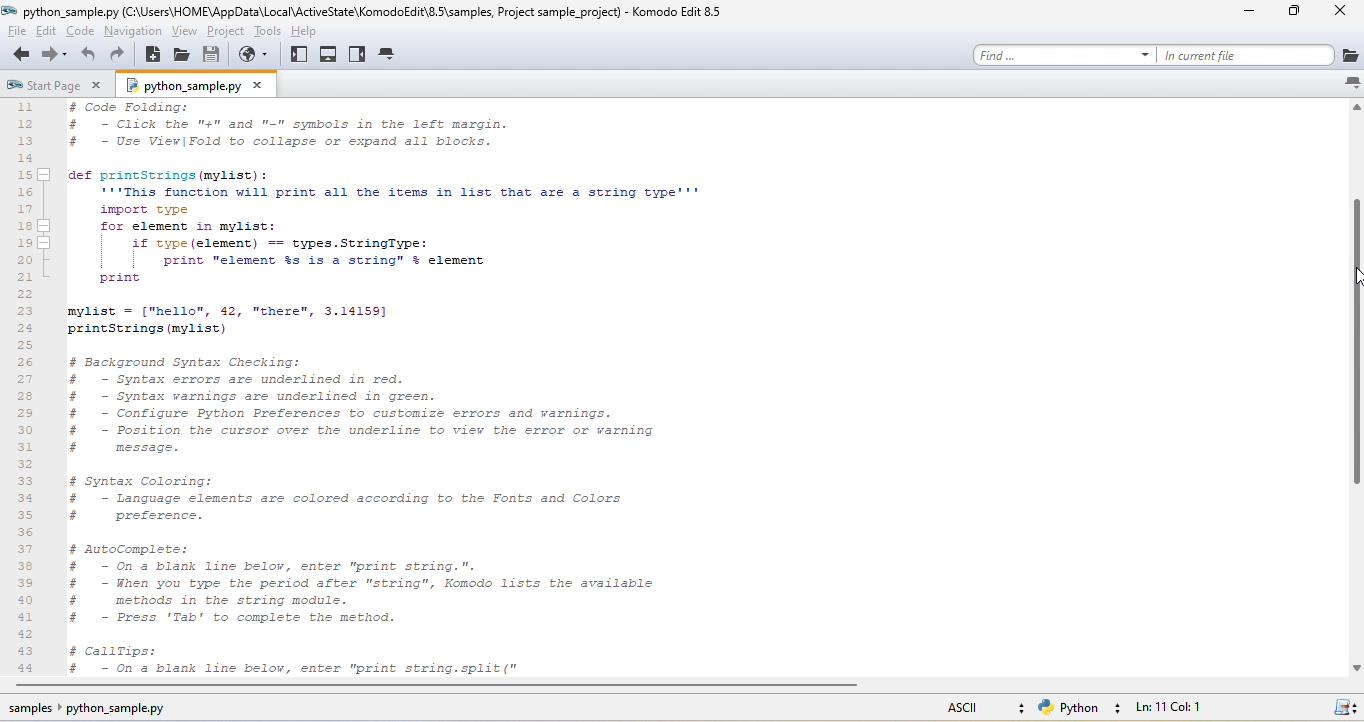  I want to click on opened file name, so click(71, 11).